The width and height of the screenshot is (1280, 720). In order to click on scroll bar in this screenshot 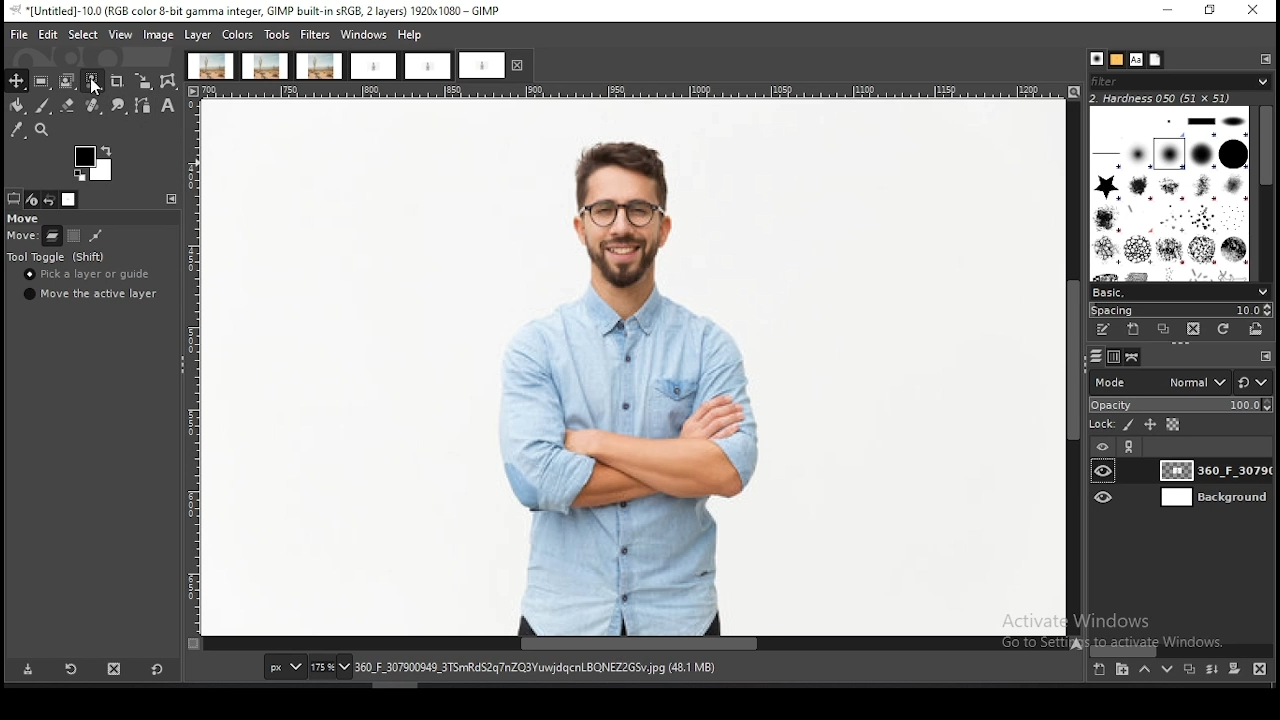, I will do `click(628, 644)`.